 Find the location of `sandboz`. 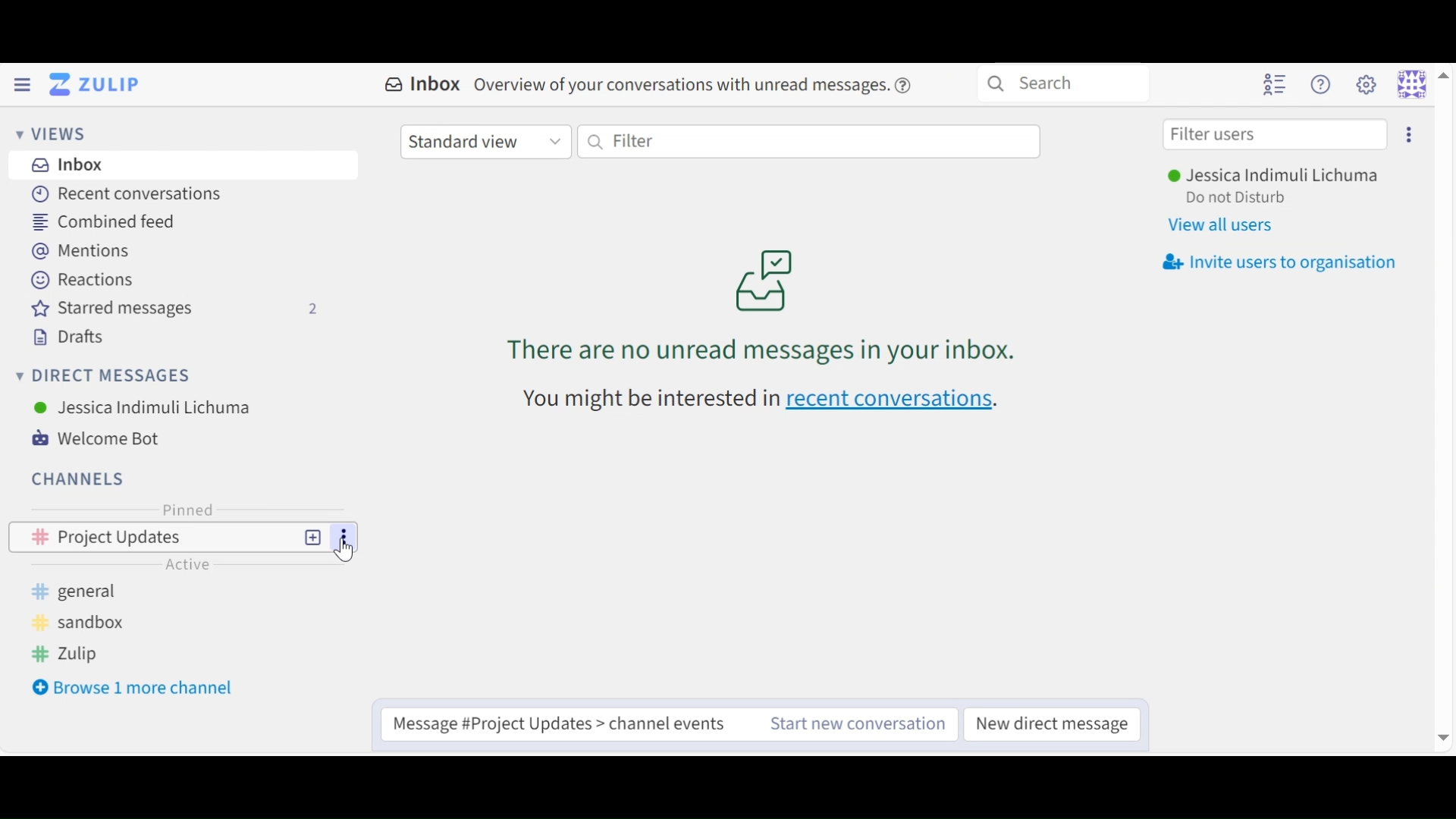

sandboz is located at coordinates (67, 622).